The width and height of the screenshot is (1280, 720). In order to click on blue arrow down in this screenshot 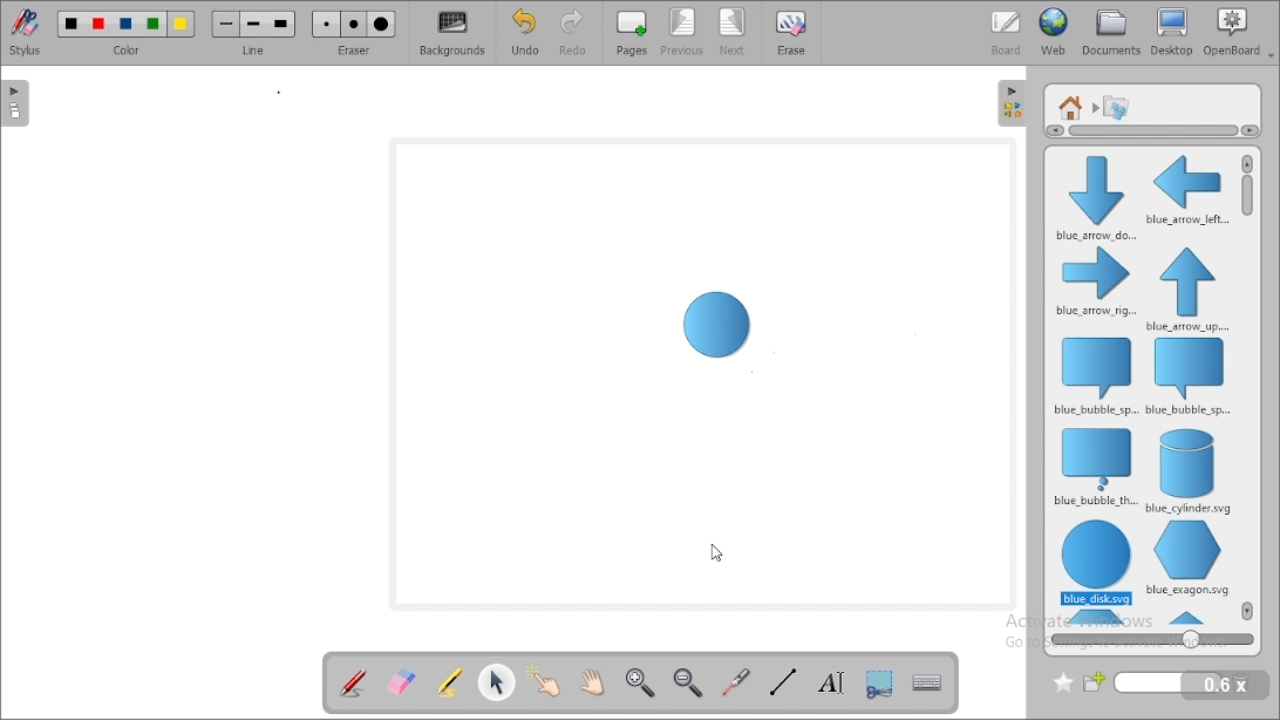, I will do `click(1093, 196)`.